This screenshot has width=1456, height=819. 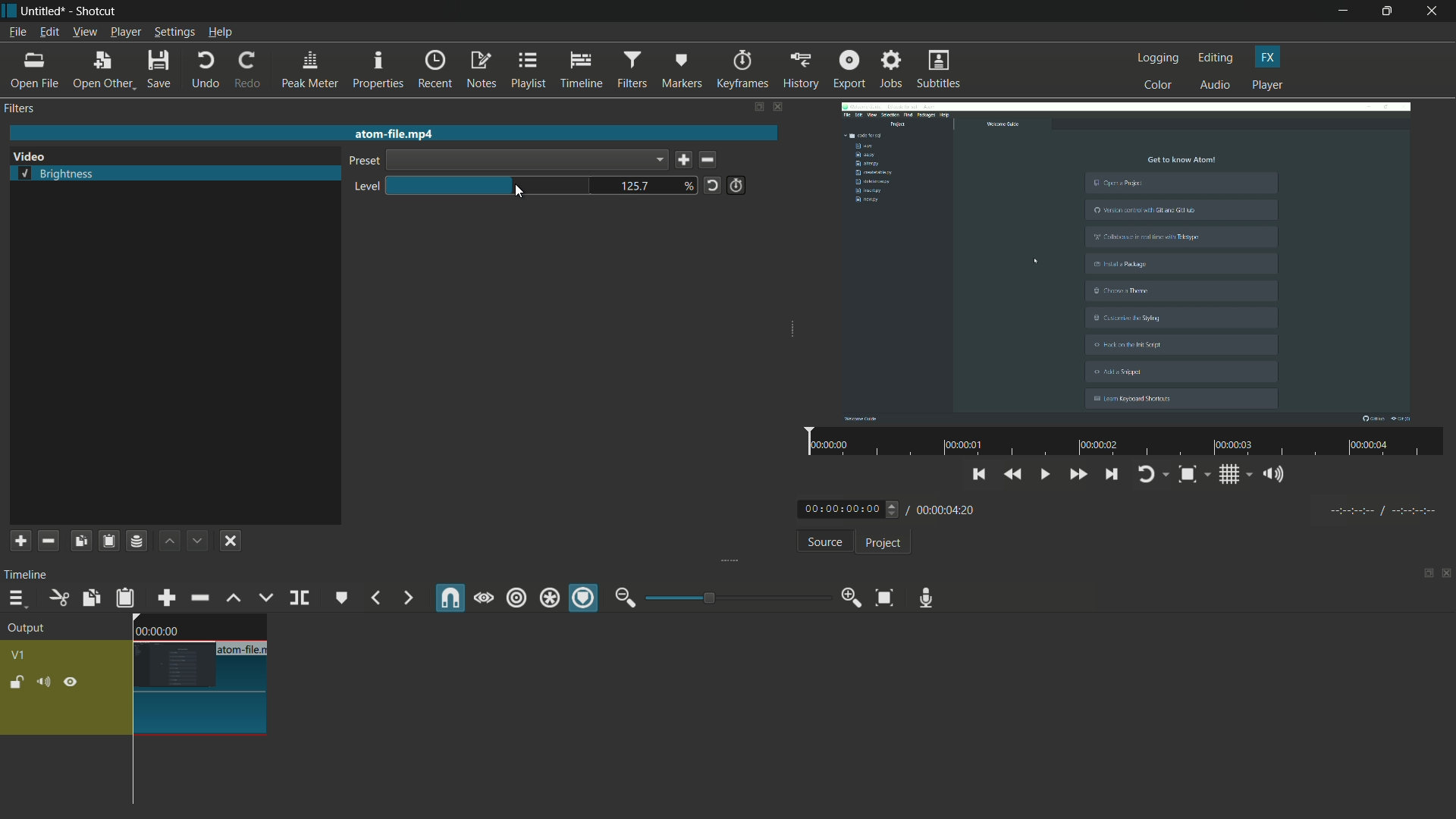 What do you see at coordinates (683, 161) in the screenshot?
I see `save` at bounding box center [683, 161].